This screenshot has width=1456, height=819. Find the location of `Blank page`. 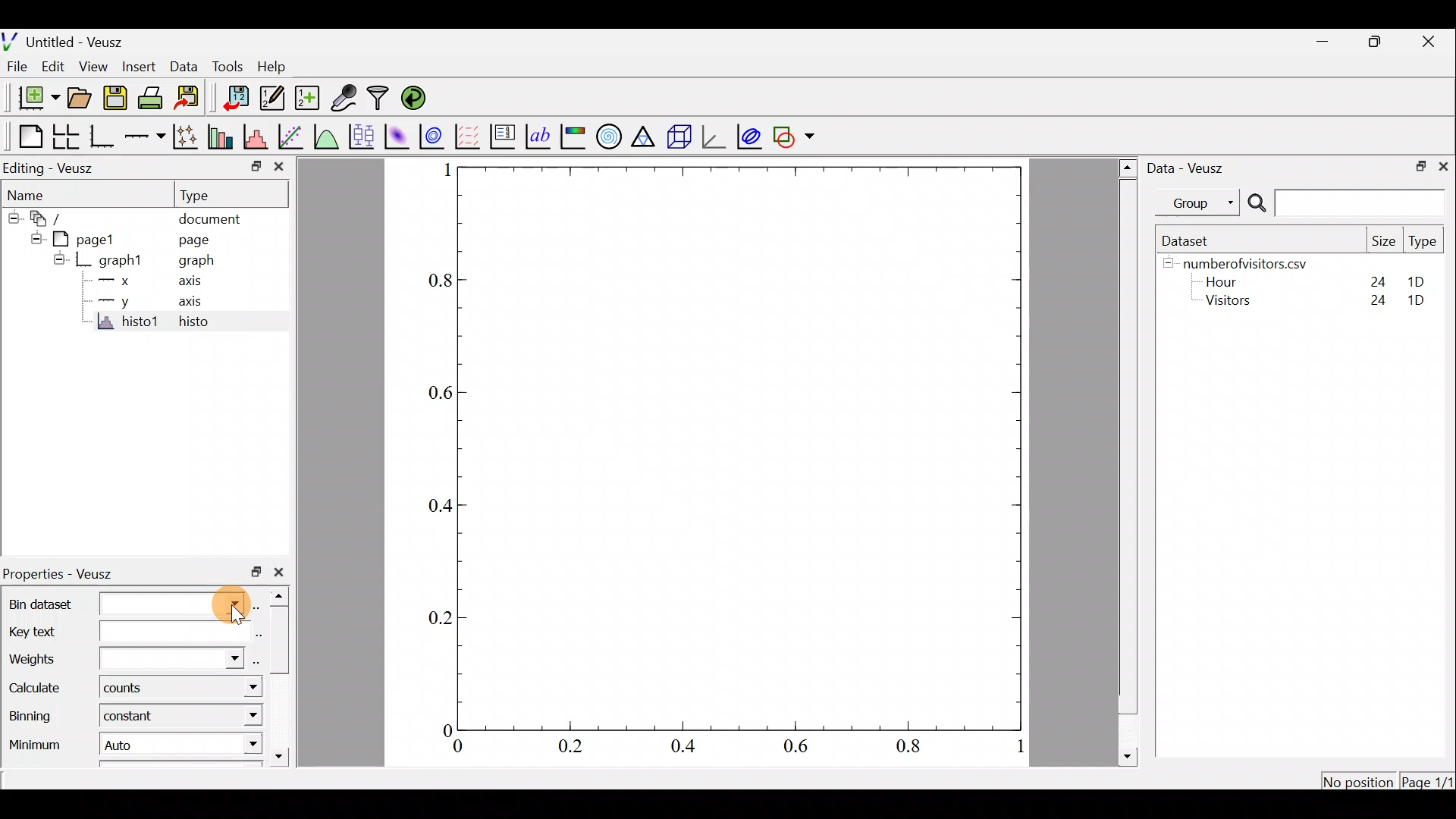

Blank page is located at coordinates (26, 135).